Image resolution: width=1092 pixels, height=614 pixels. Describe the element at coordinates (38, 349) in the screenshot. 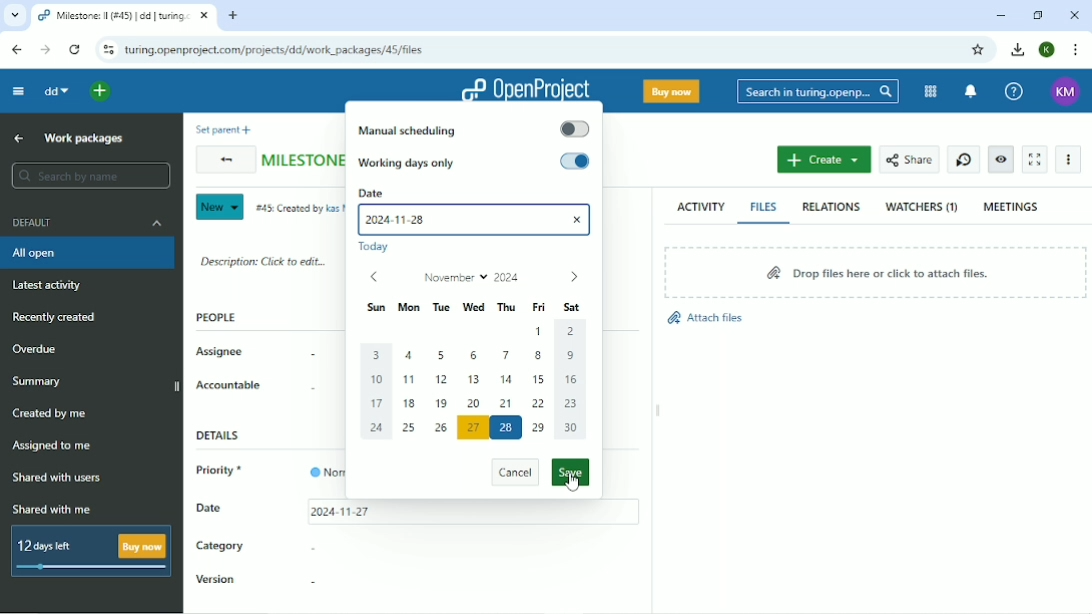

I see `Overdue` at that location.